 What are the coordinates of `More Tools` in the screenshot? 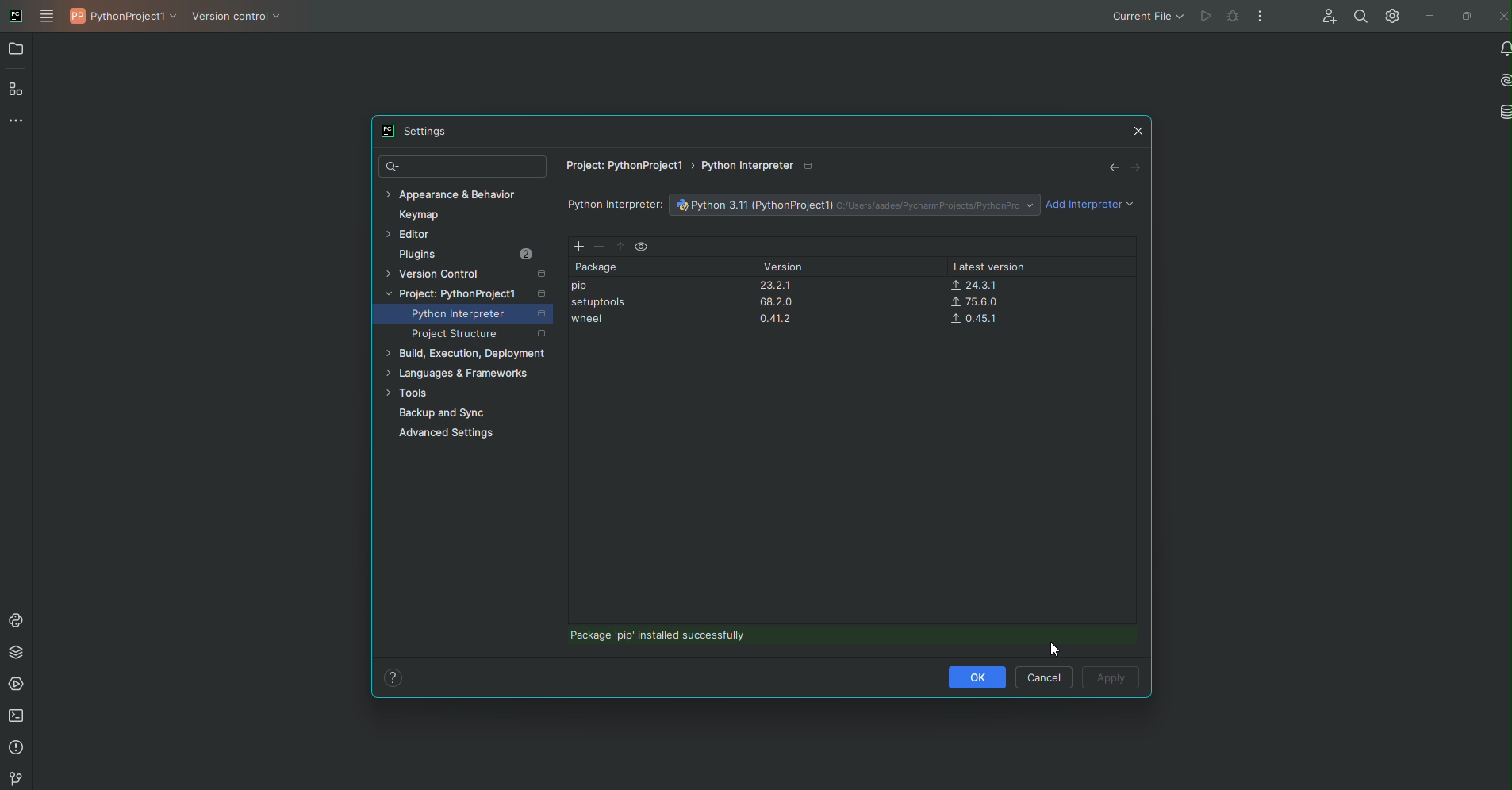 It's located at (15, 124).